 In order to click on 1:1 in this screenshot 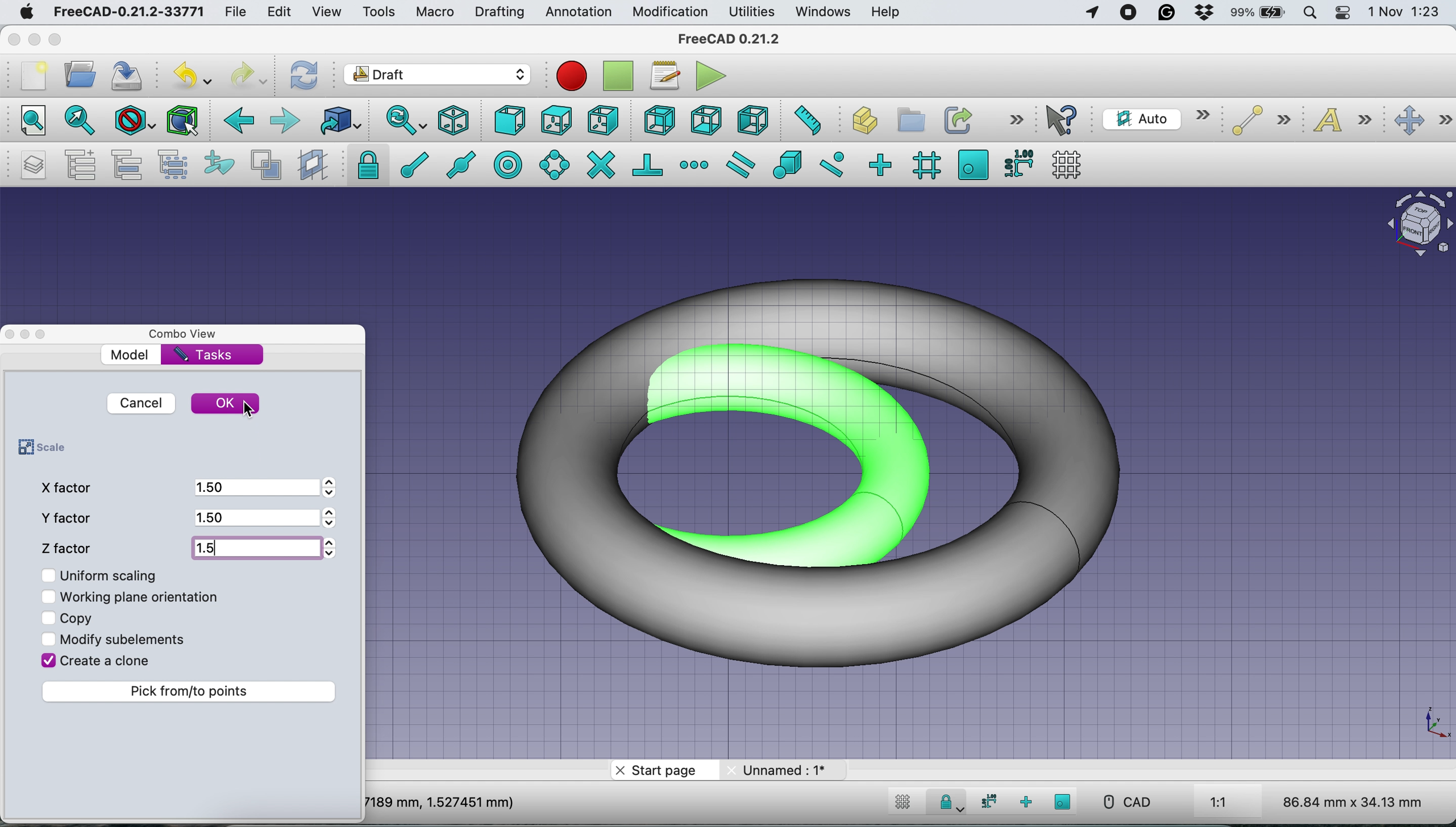, I will do `click(1232, 803)`.